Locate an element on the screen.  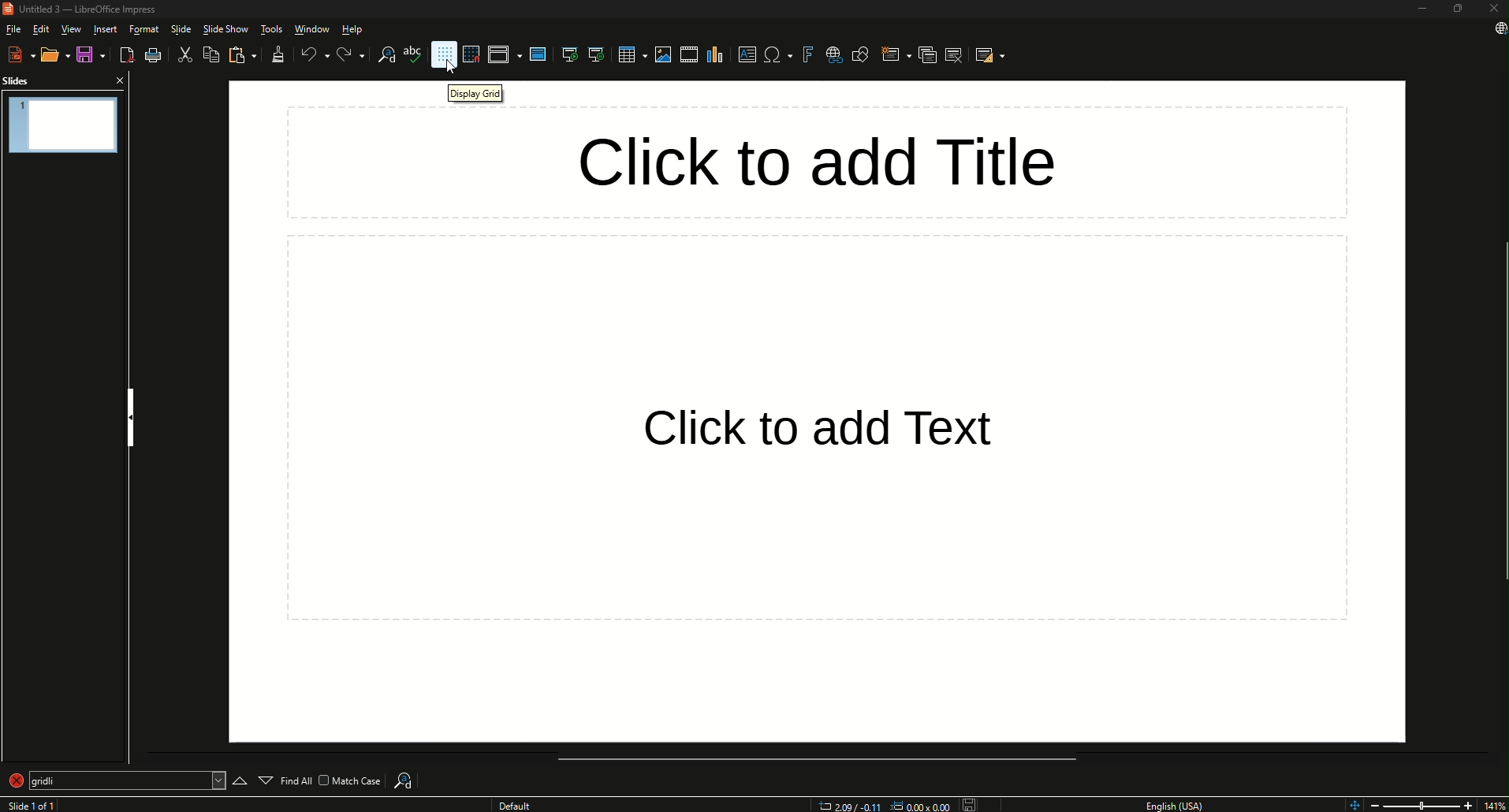
Slide 1 is located at coordinates (36, 804).